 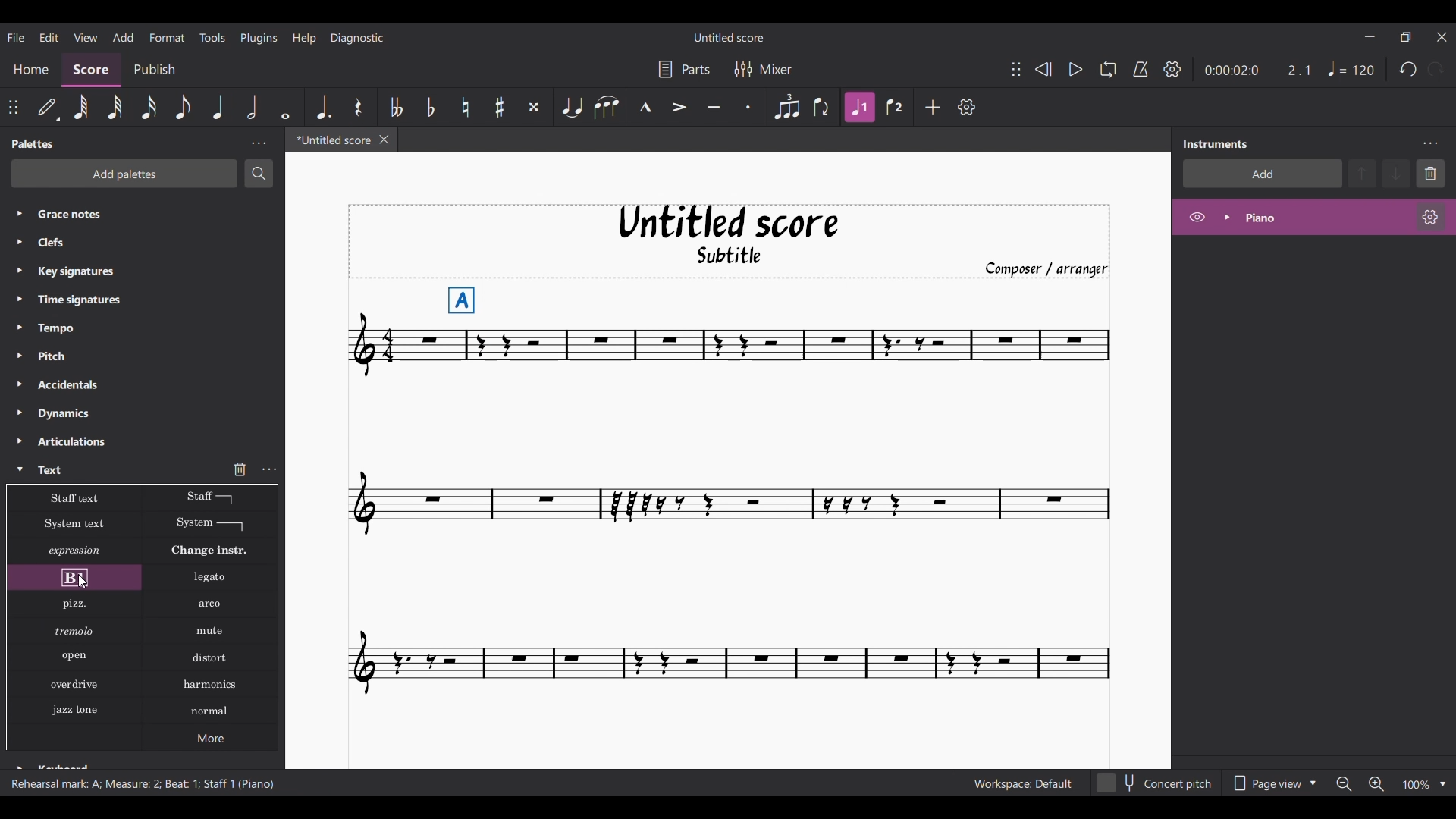 I want to click on Panel title, so click(x=1216, y=144).